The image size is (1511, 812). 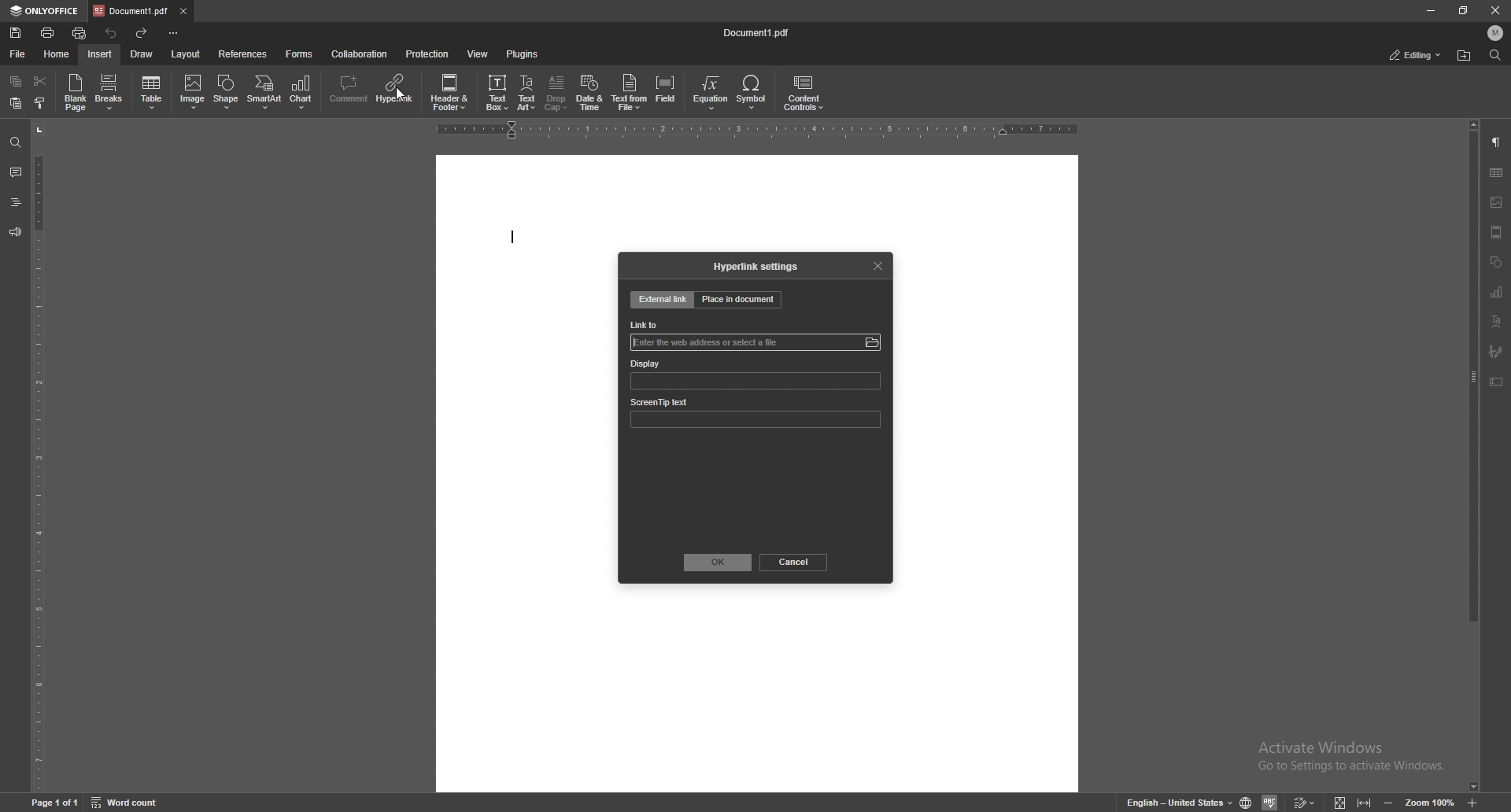 I want to click on editing, so click(x=1413, y=56).